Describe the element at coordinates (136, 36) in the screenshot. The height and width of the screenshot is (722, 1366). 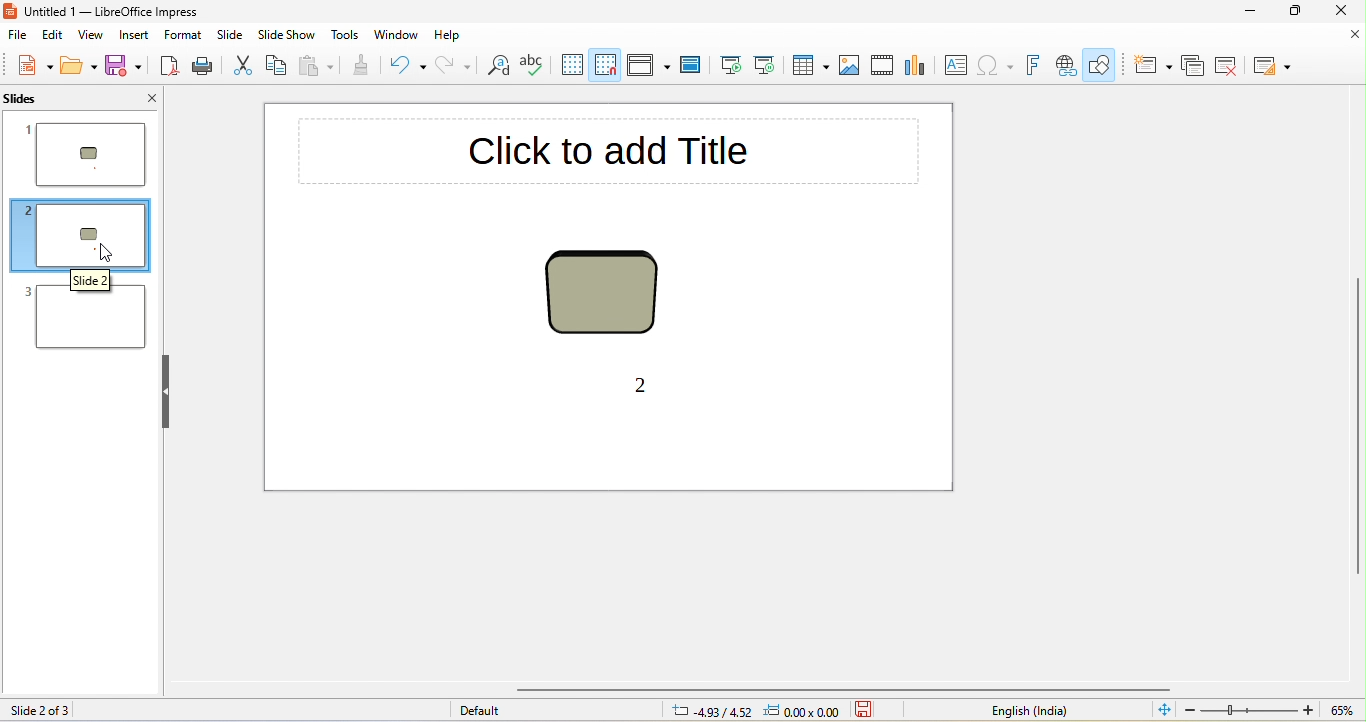
I see `insert` at that location.